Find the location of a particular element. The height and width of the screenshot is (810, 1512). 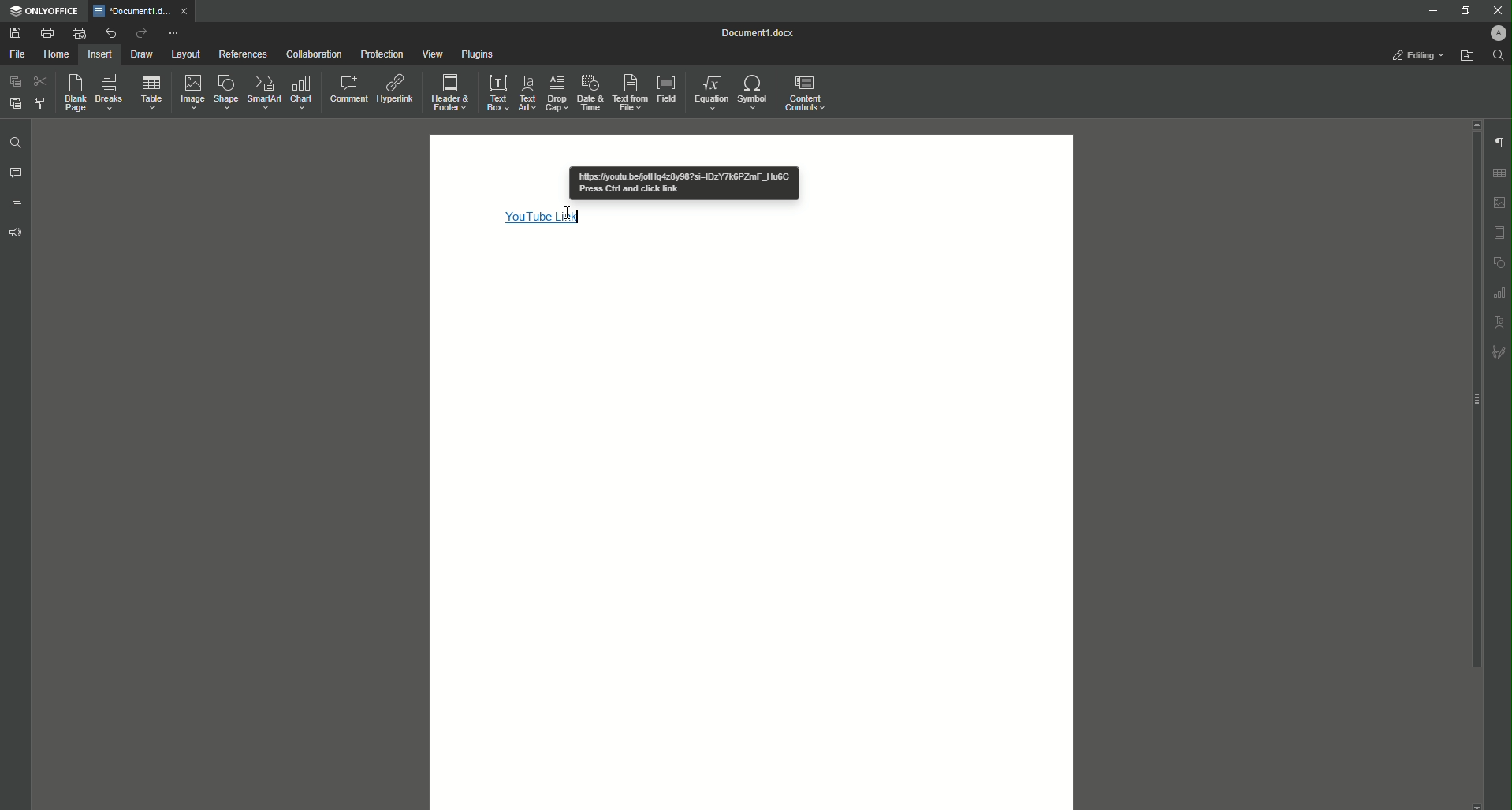

Choose Styling is located at coordinates (39, 103).